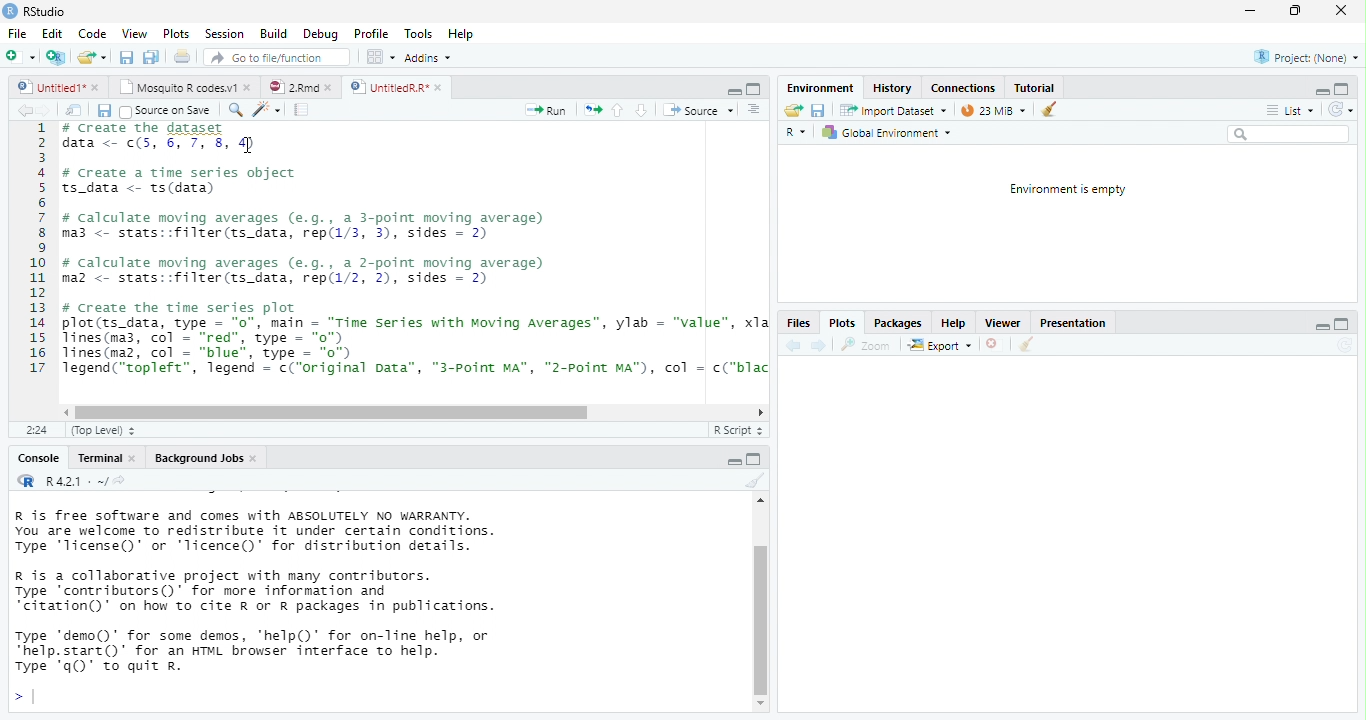 The image size is (1366, 720). I want to click on R, so click(24, 480).